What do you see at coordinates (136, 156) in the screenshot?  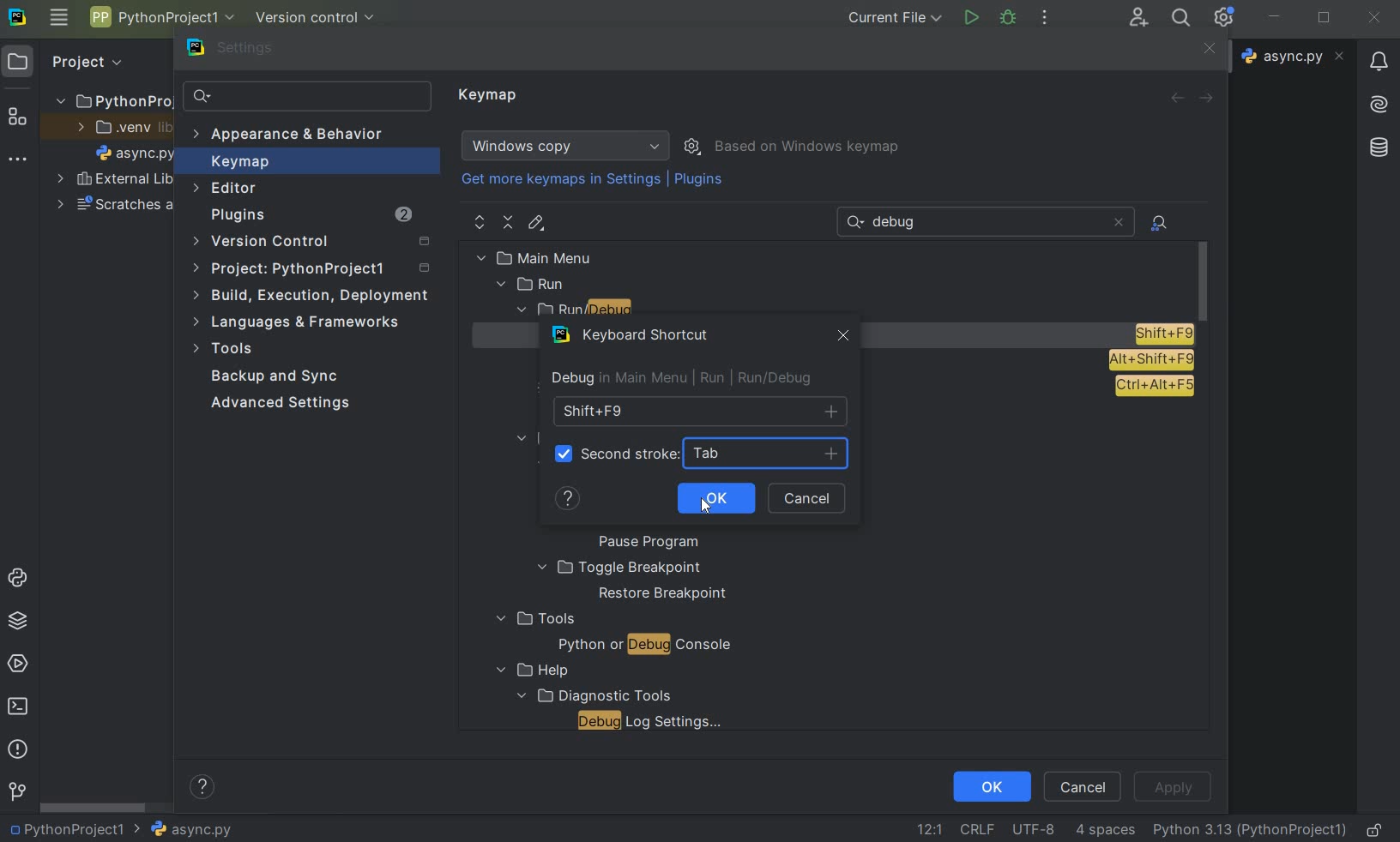 I see `file name` at bounding box center [136, 156].